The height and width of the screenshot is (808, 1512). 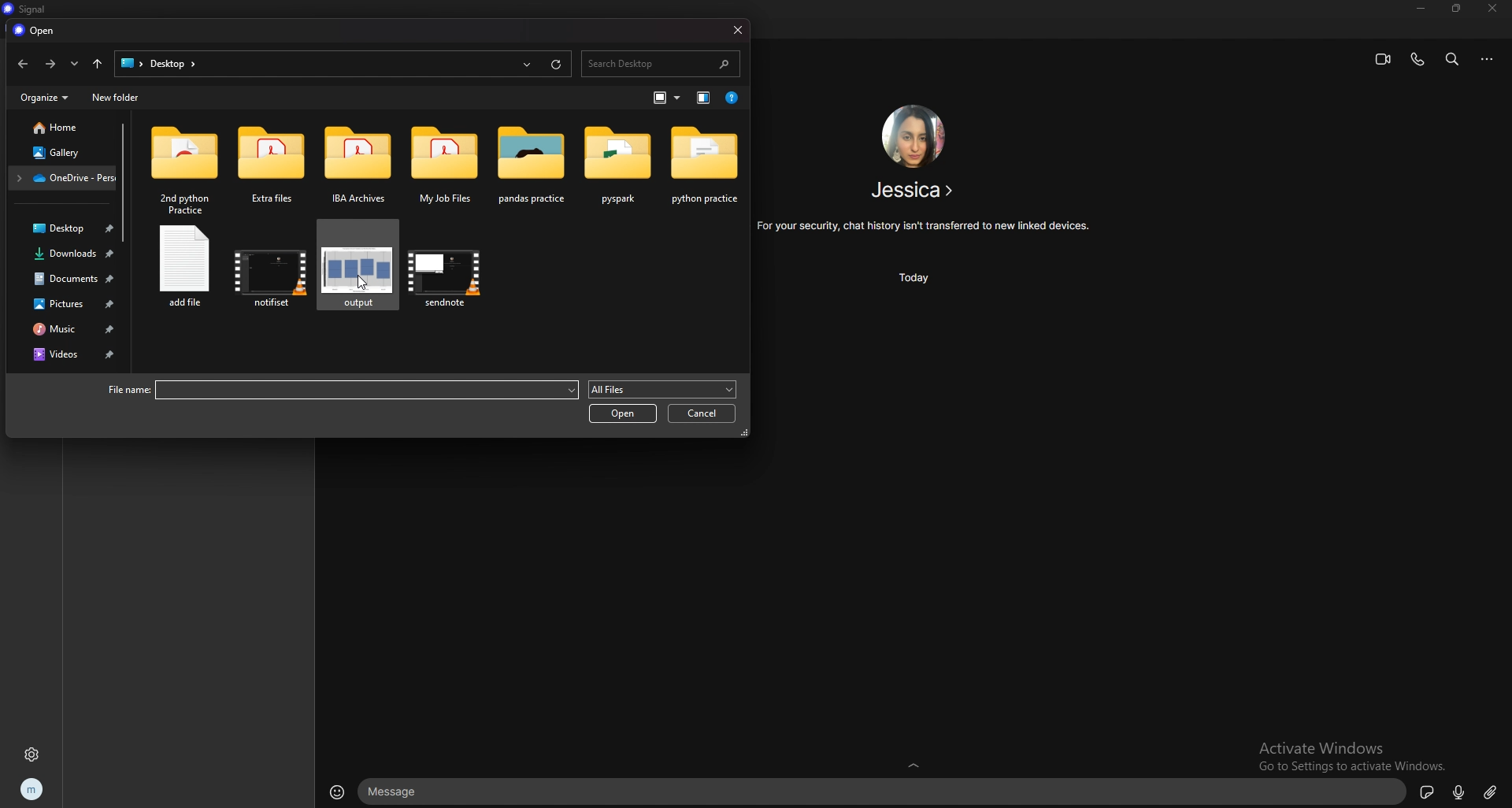 I want to click on folder, so click(x=706, y=164).